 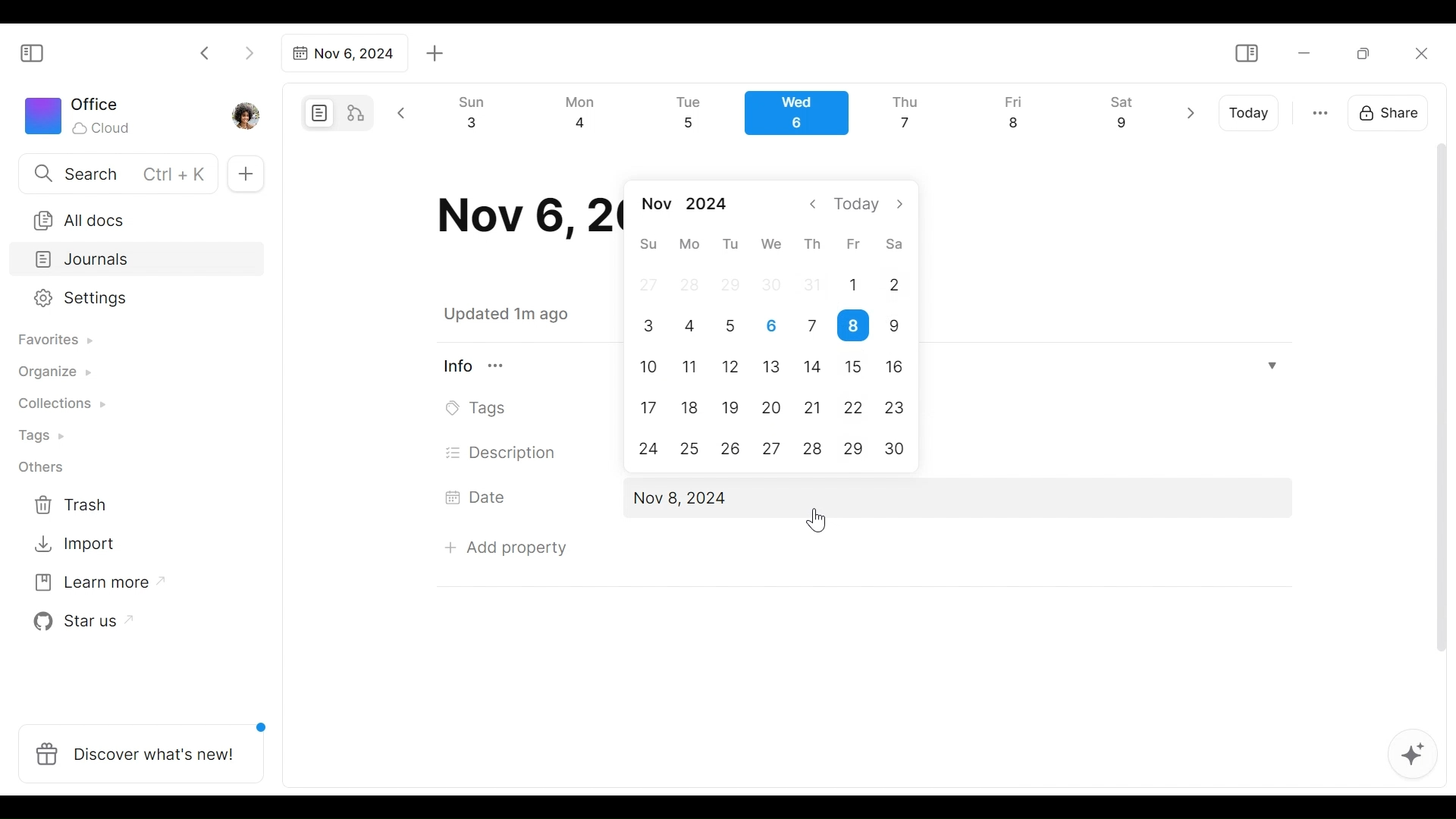 I want to click on View Information, so click(x=483, y=366).